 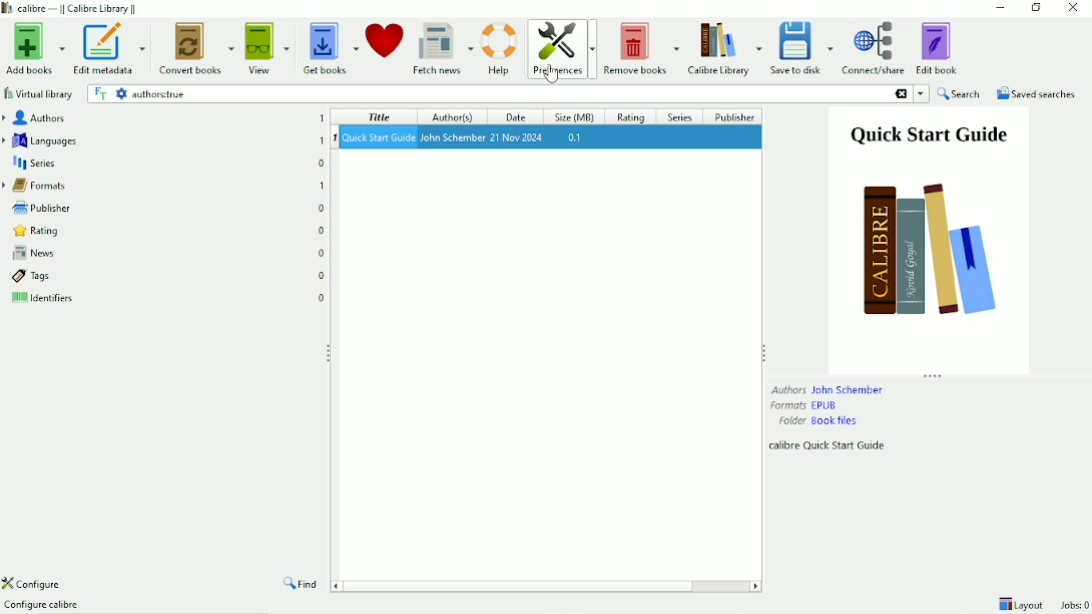 I want to click on Size, so click(x=576, y=116).